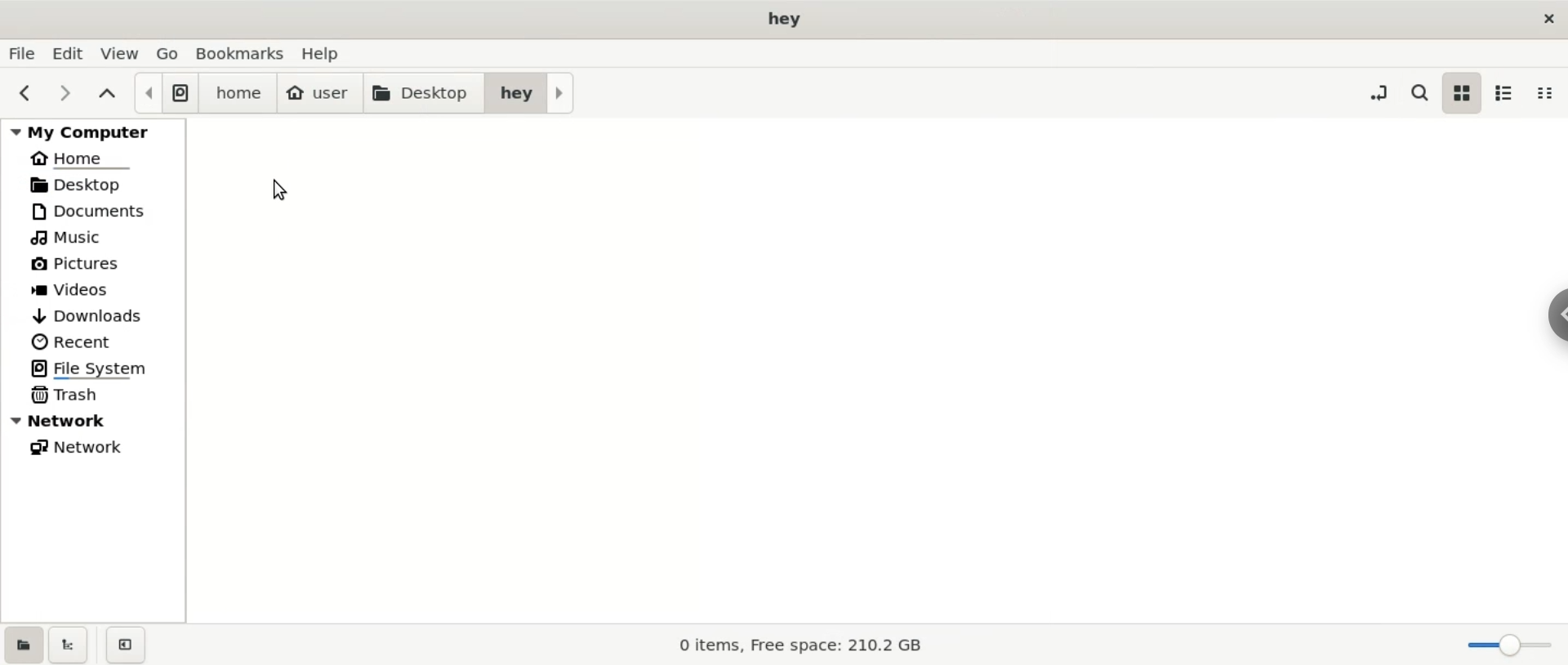  Describe the element at coordinates (1510, 646) in the screenshot. I see `zoom` at that location.